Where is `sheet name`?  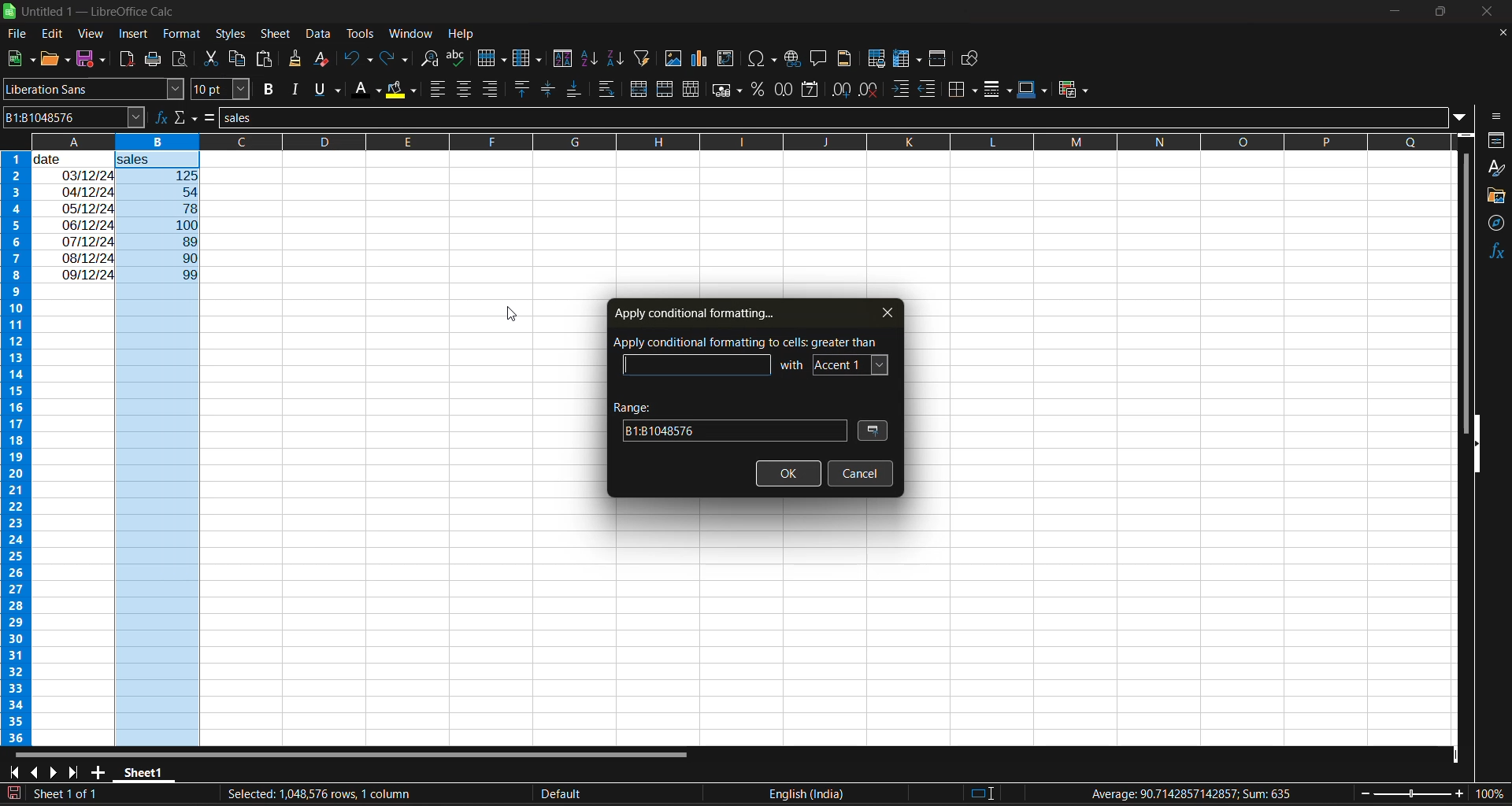
sheet name is located at coordinates (142, 773).